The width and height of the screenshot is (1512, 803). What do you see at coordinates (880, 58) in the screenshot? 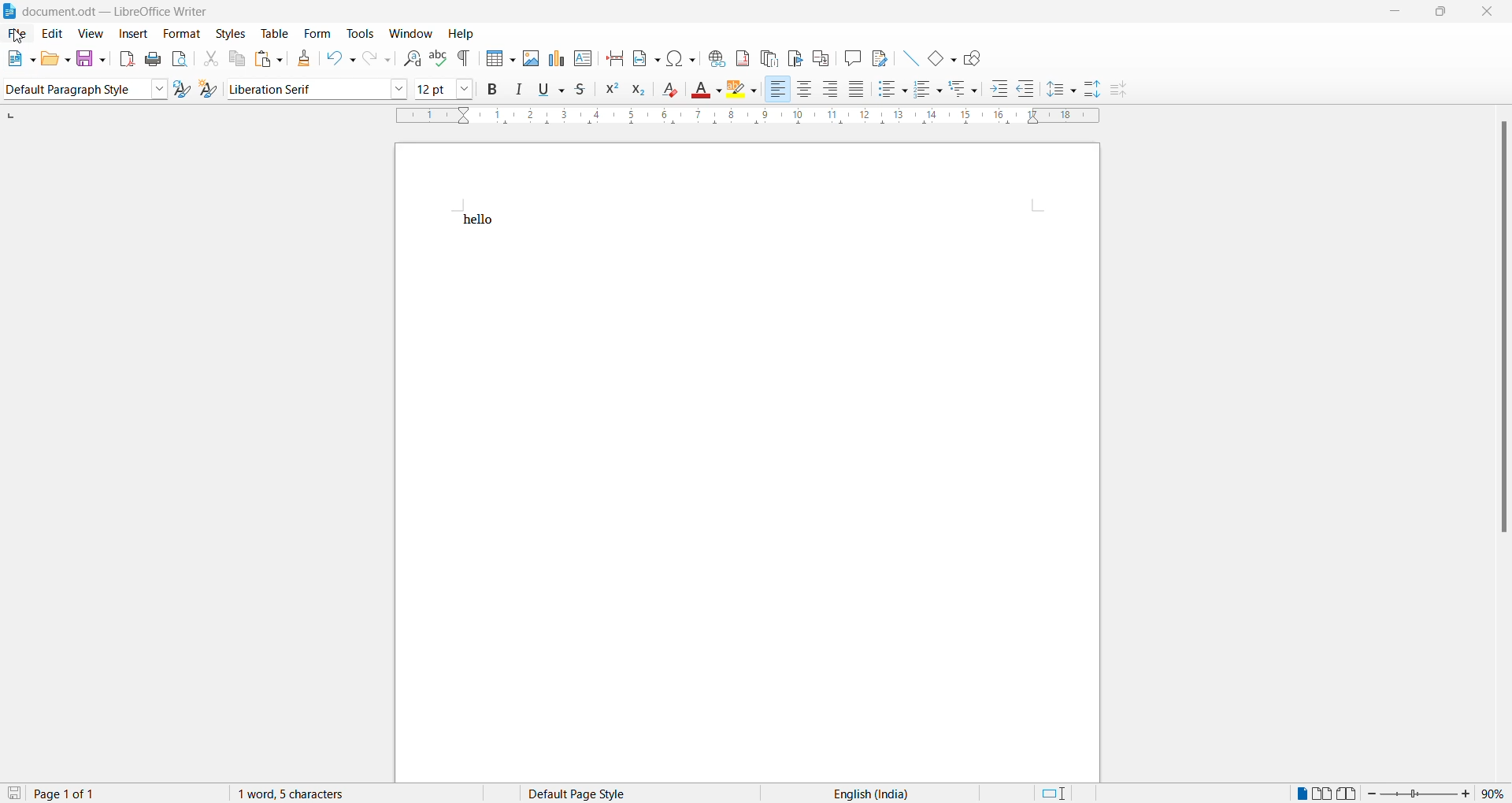
I see `Show track changes function` at bounding box center [880, 58].